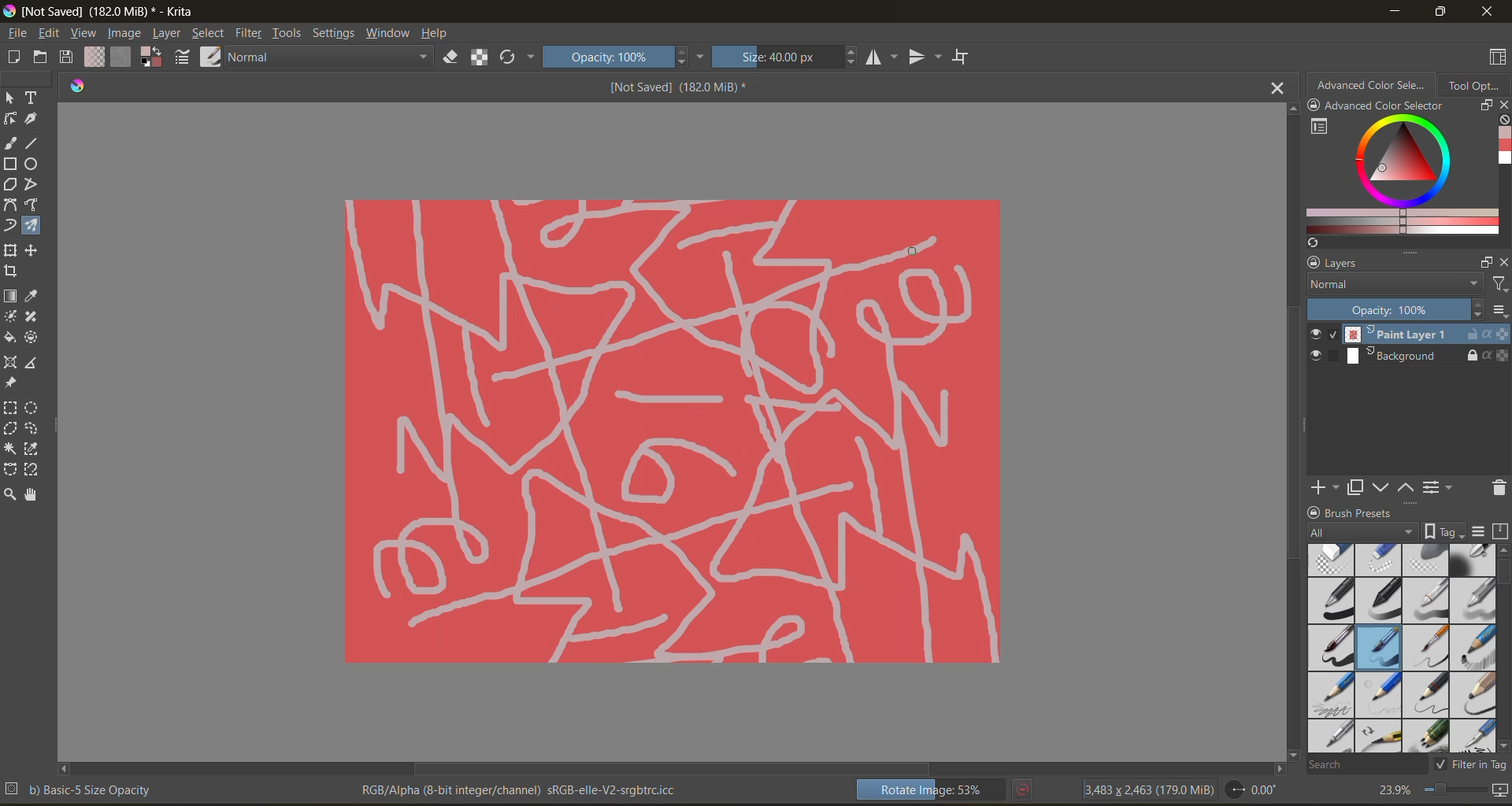 The height and width of the screenshot is (806, 1512). I want to click on mask down, so click(1380, 488).